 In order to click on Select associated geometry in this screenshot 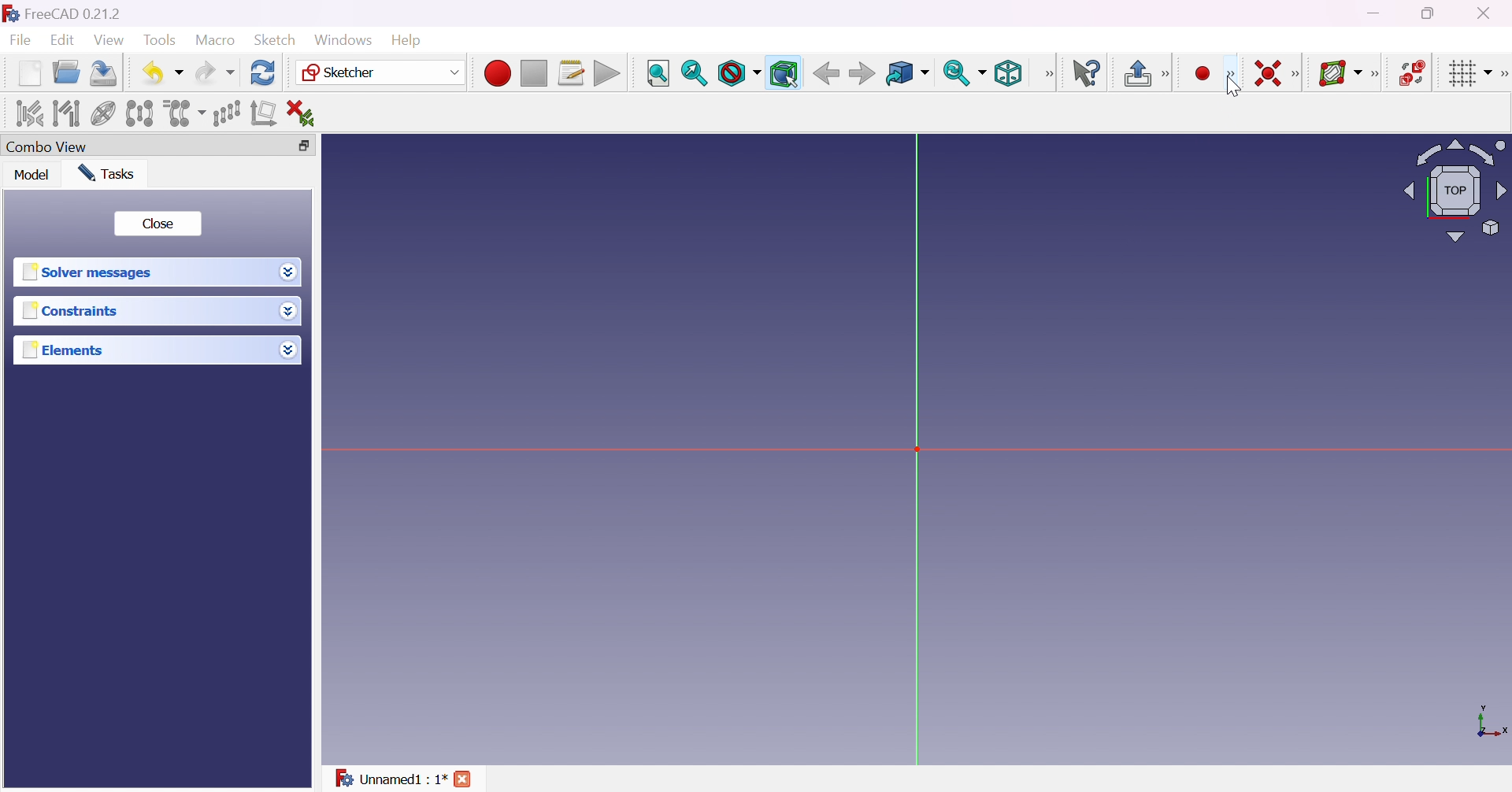, I will do `click(67, 112)`.